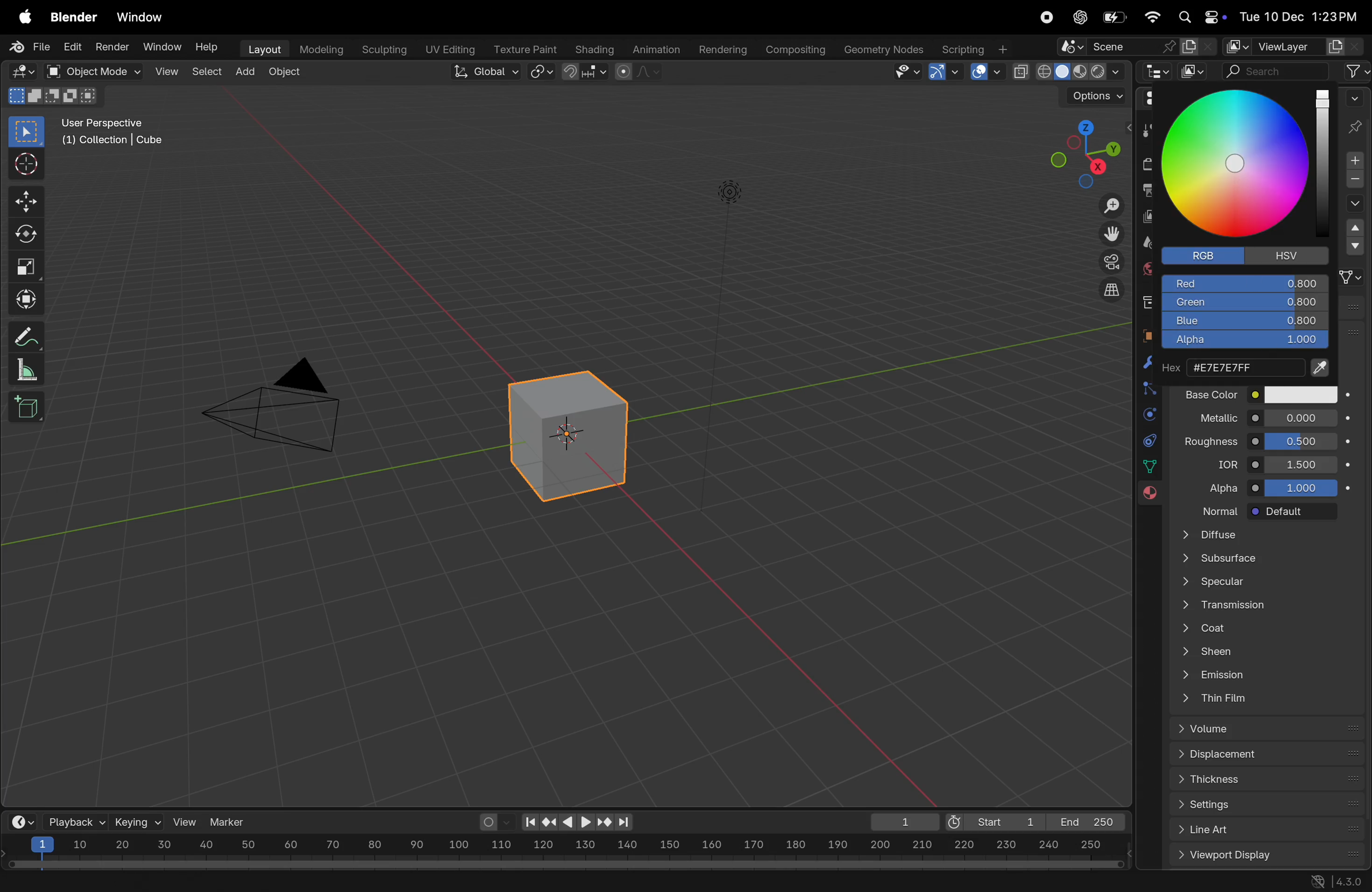  Describe the element at coordinates (1078, 17) in the screenshot. I see `chatgpt` at that location.